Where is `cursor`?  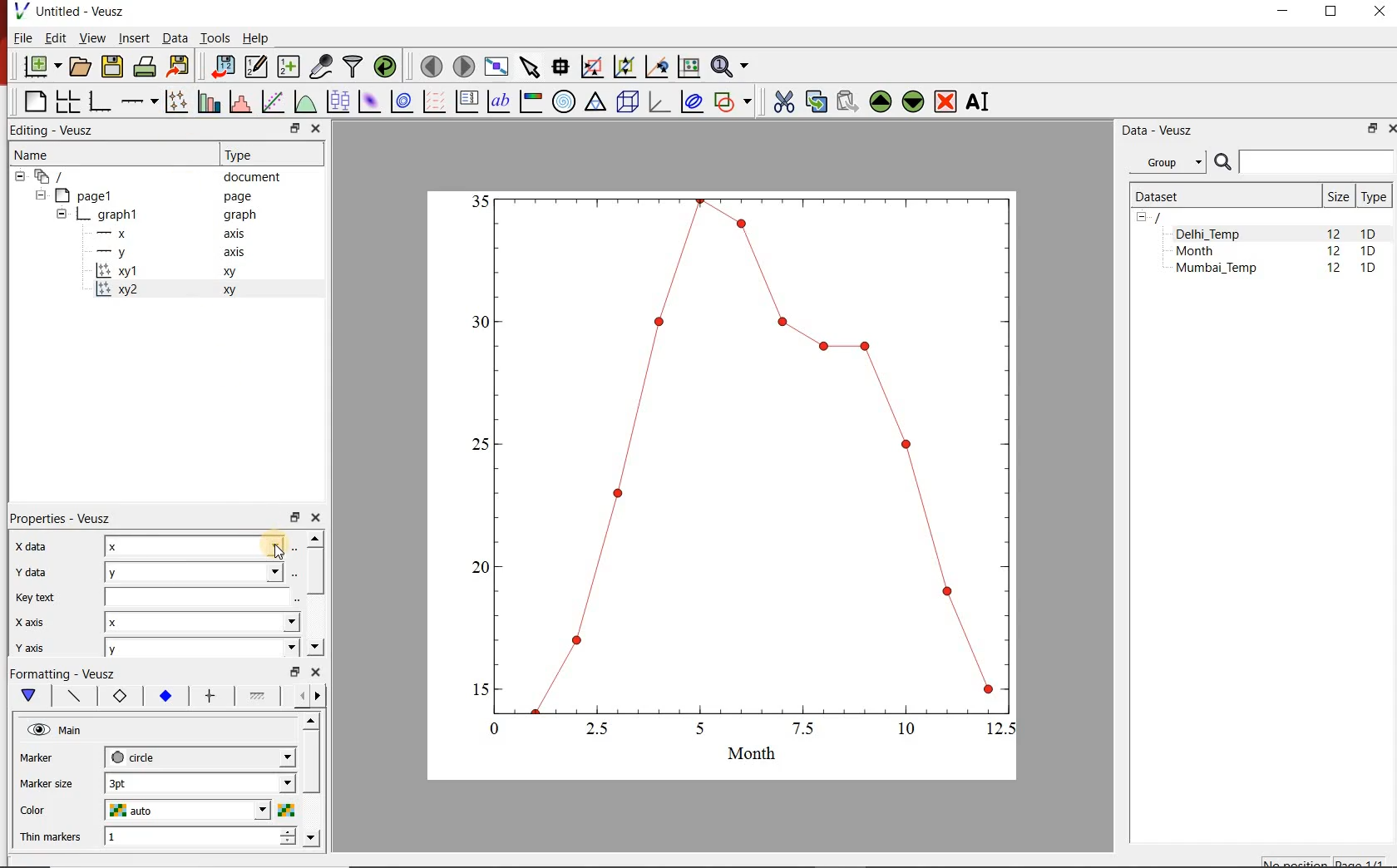
cursor is located at coordinates (278, 545).